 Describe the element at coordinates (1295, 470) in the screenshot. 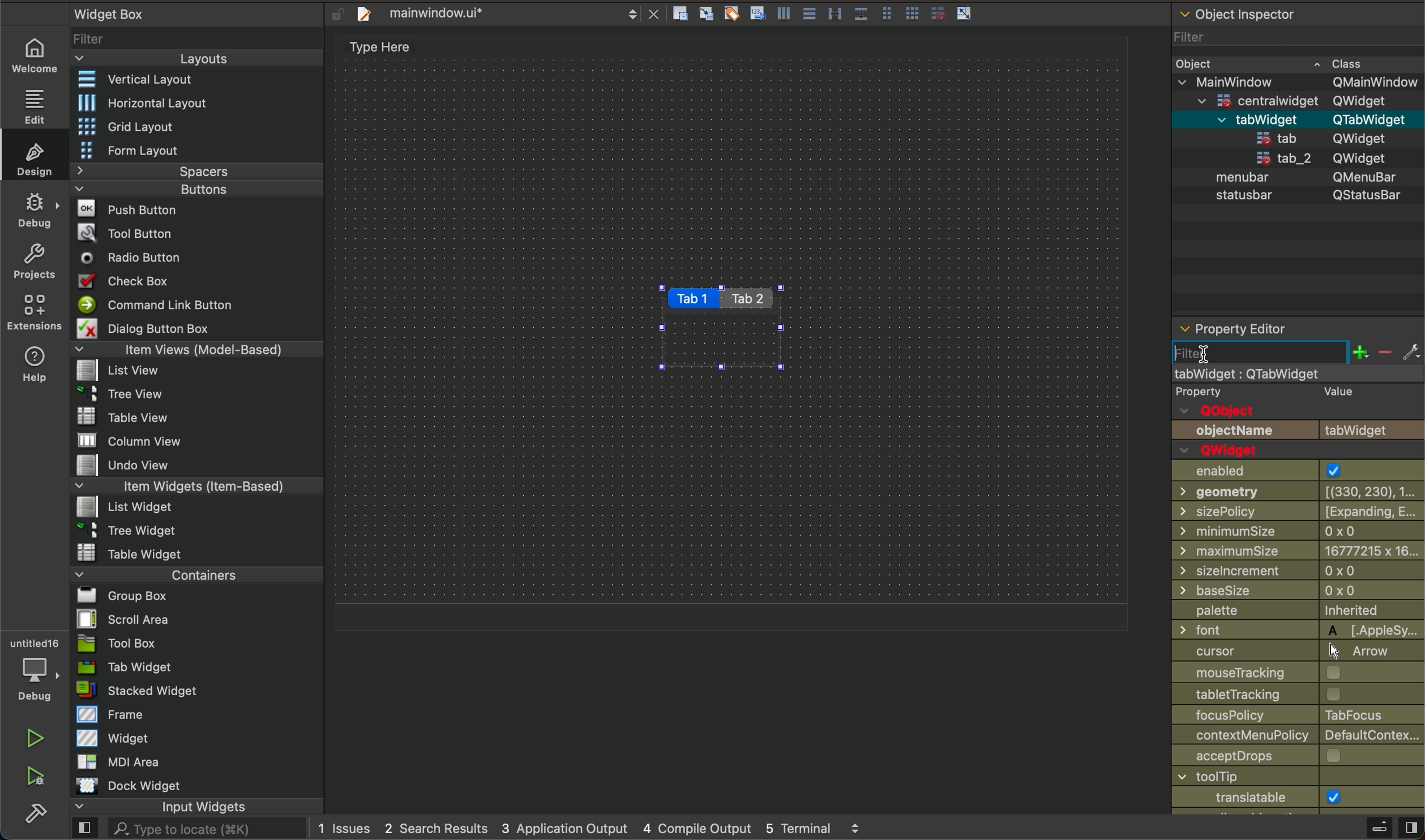

I see `enabled` at that location.